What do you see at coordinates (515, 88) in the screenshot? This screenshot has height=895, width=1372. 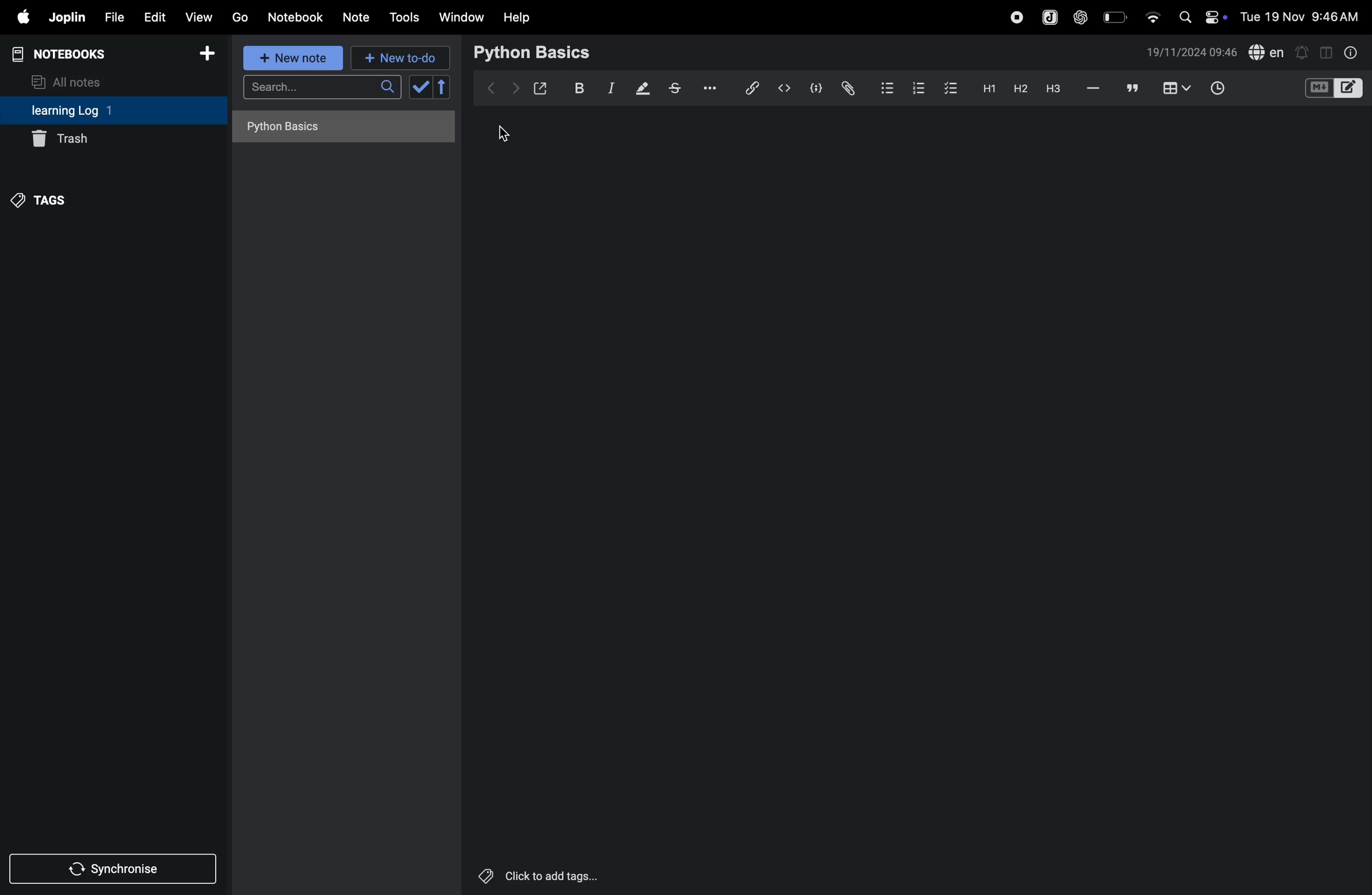 I see `forward` at bounding box center [515, 88].